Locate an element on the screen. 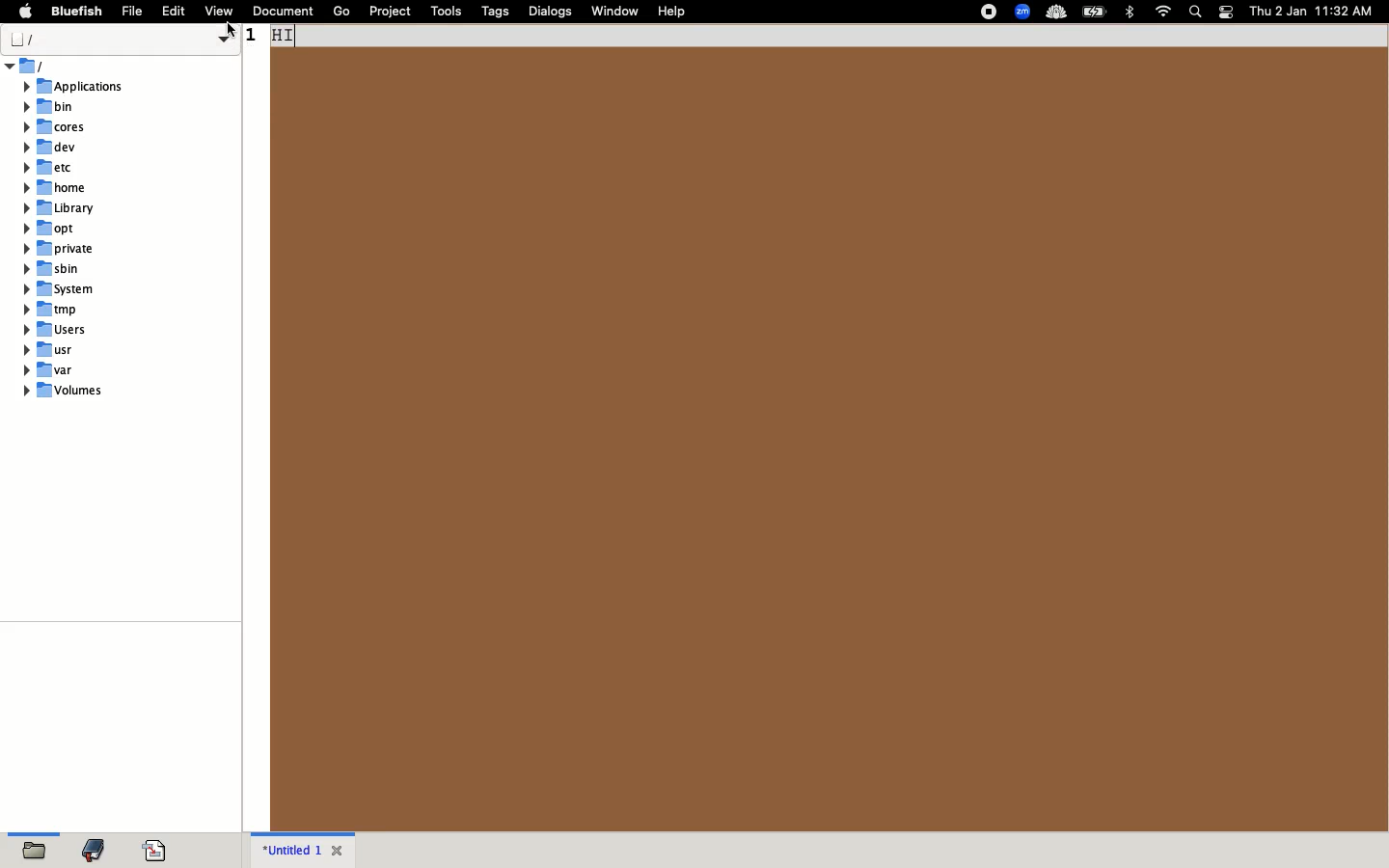 This screenshot has height=868, width=1389. line is located at coordinates (816, 36).